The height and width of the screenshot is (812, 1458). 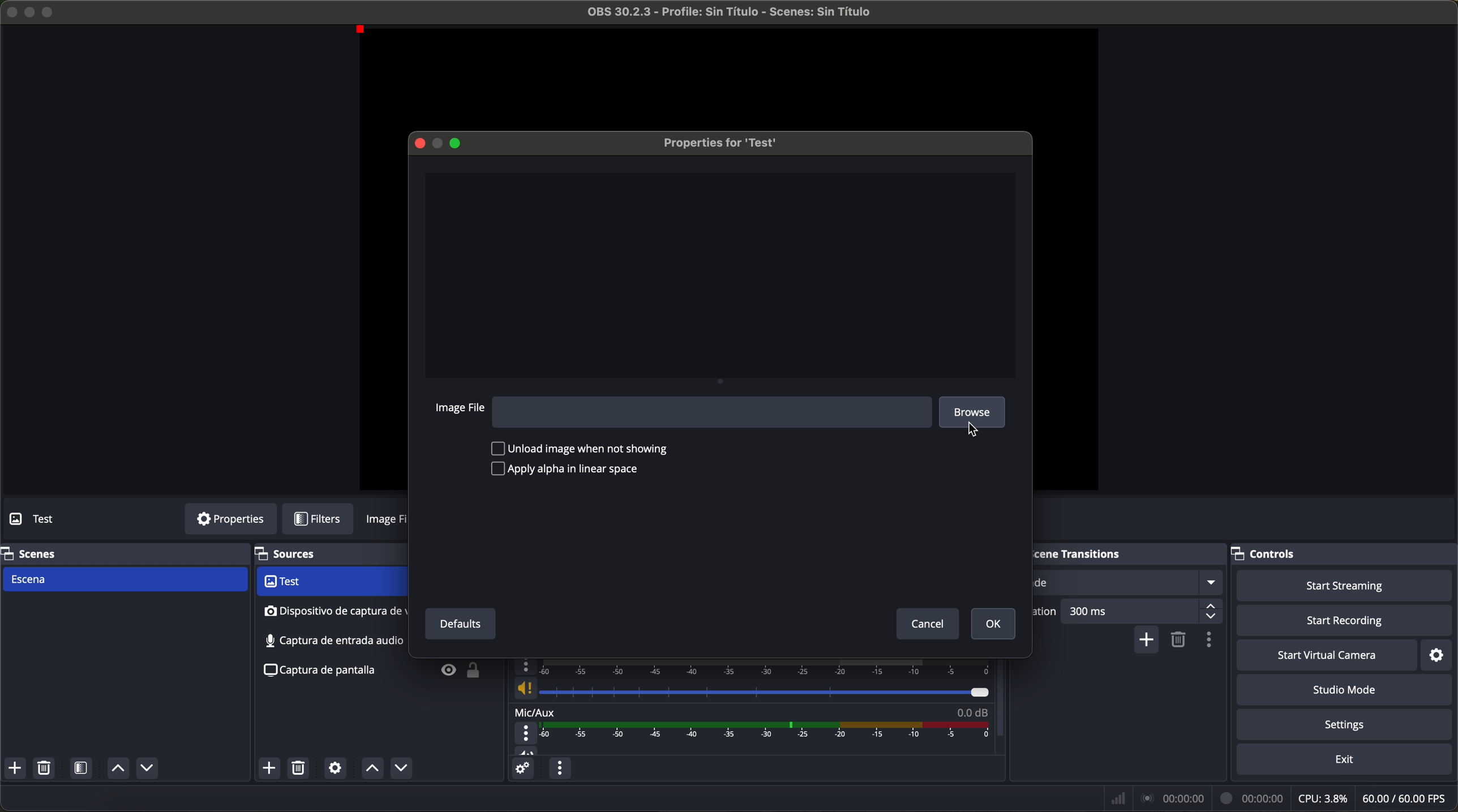 I want to click on scene, so click(x=124, y=580).